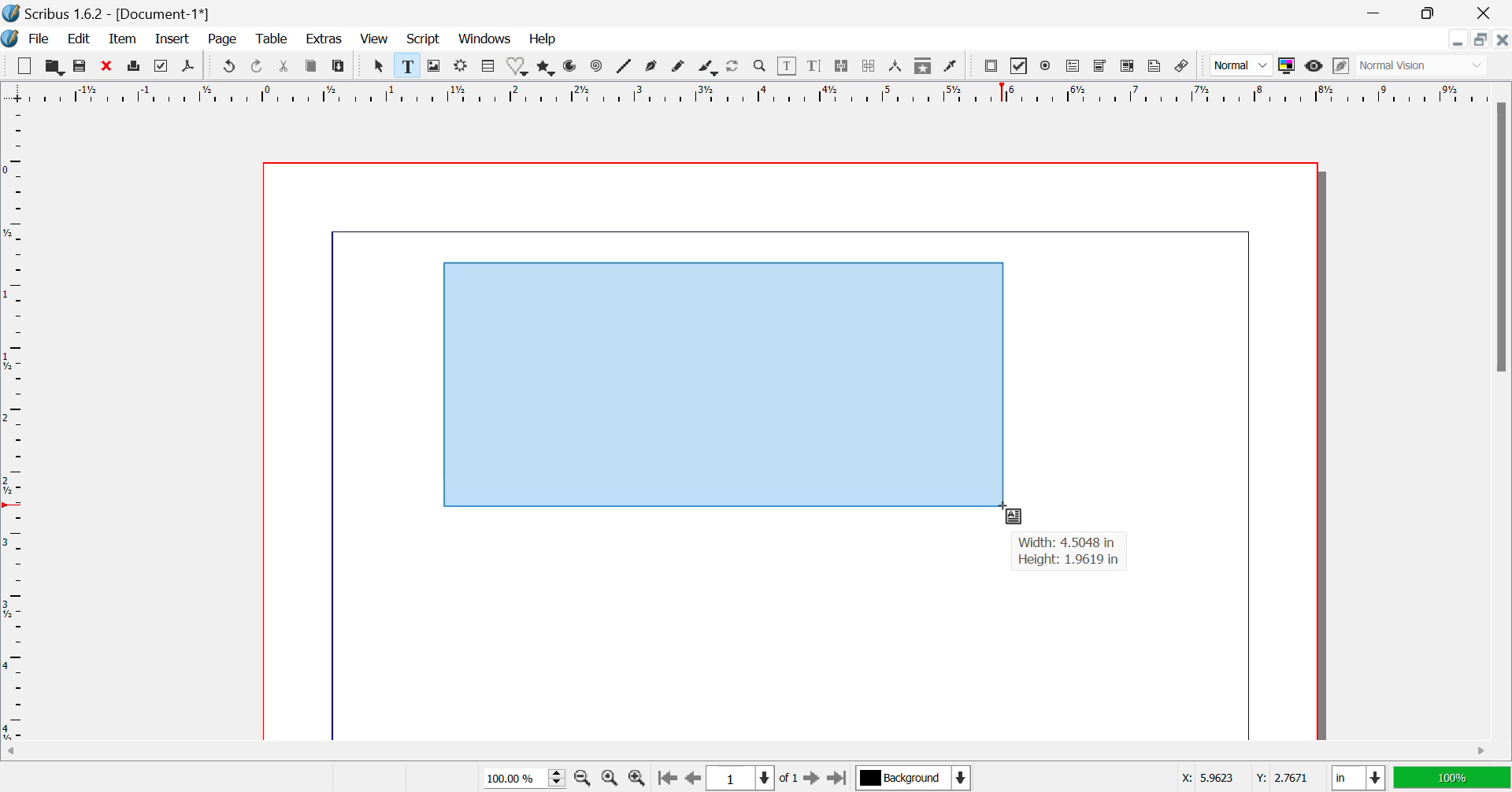 The image size is (1512, 792). What do you see at coordinates (679, 69) in the screenshot?
I see `Freehand Line` at bounding box center [679, 69].